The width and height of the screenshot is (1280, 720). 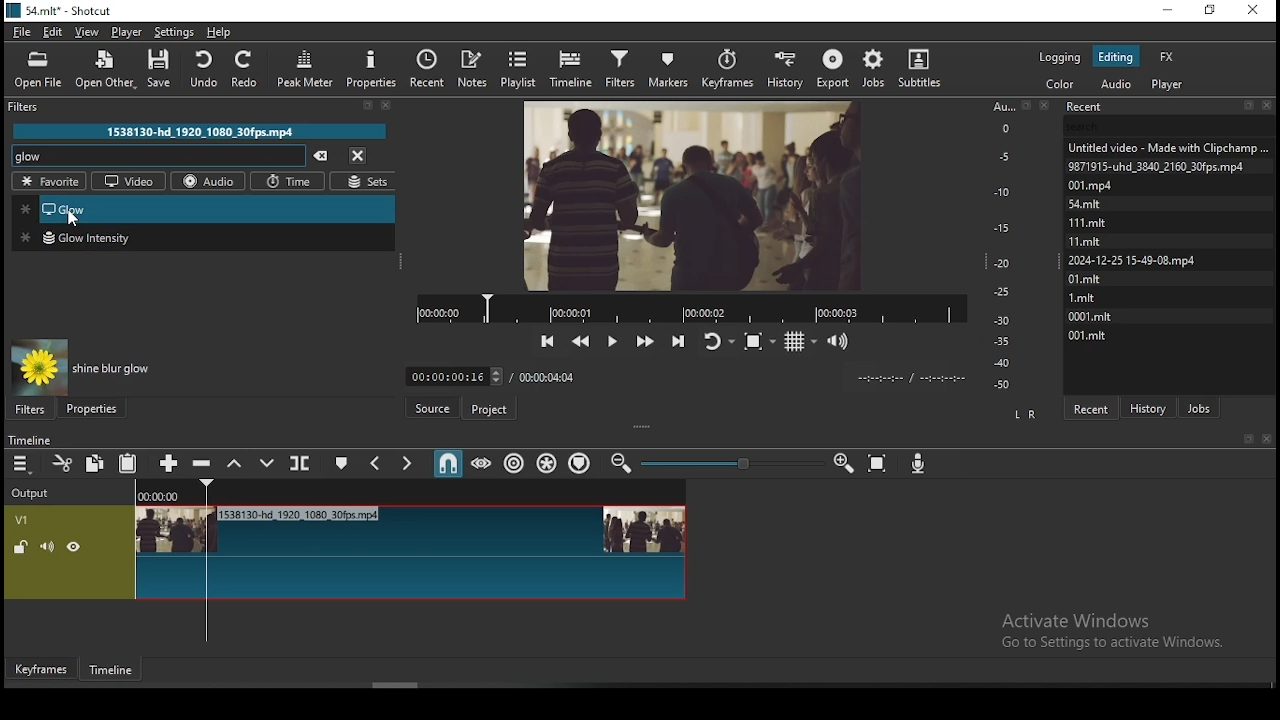 What do you see at coordinates (32, 156) in the screenshot?
I see `glow` at bounding box center [32, 156].